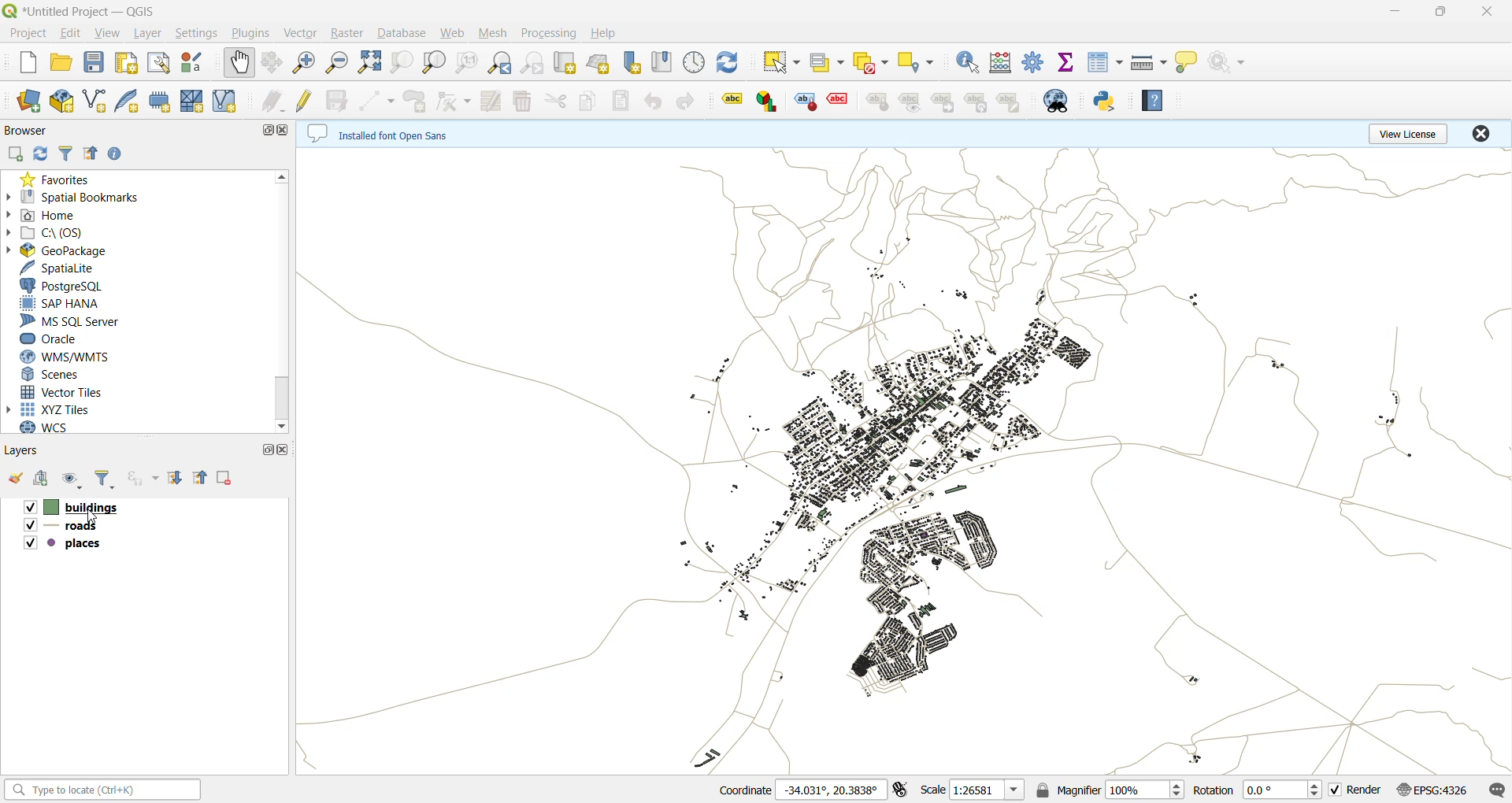  I want to click on statistical summary, so click(1071, 62).